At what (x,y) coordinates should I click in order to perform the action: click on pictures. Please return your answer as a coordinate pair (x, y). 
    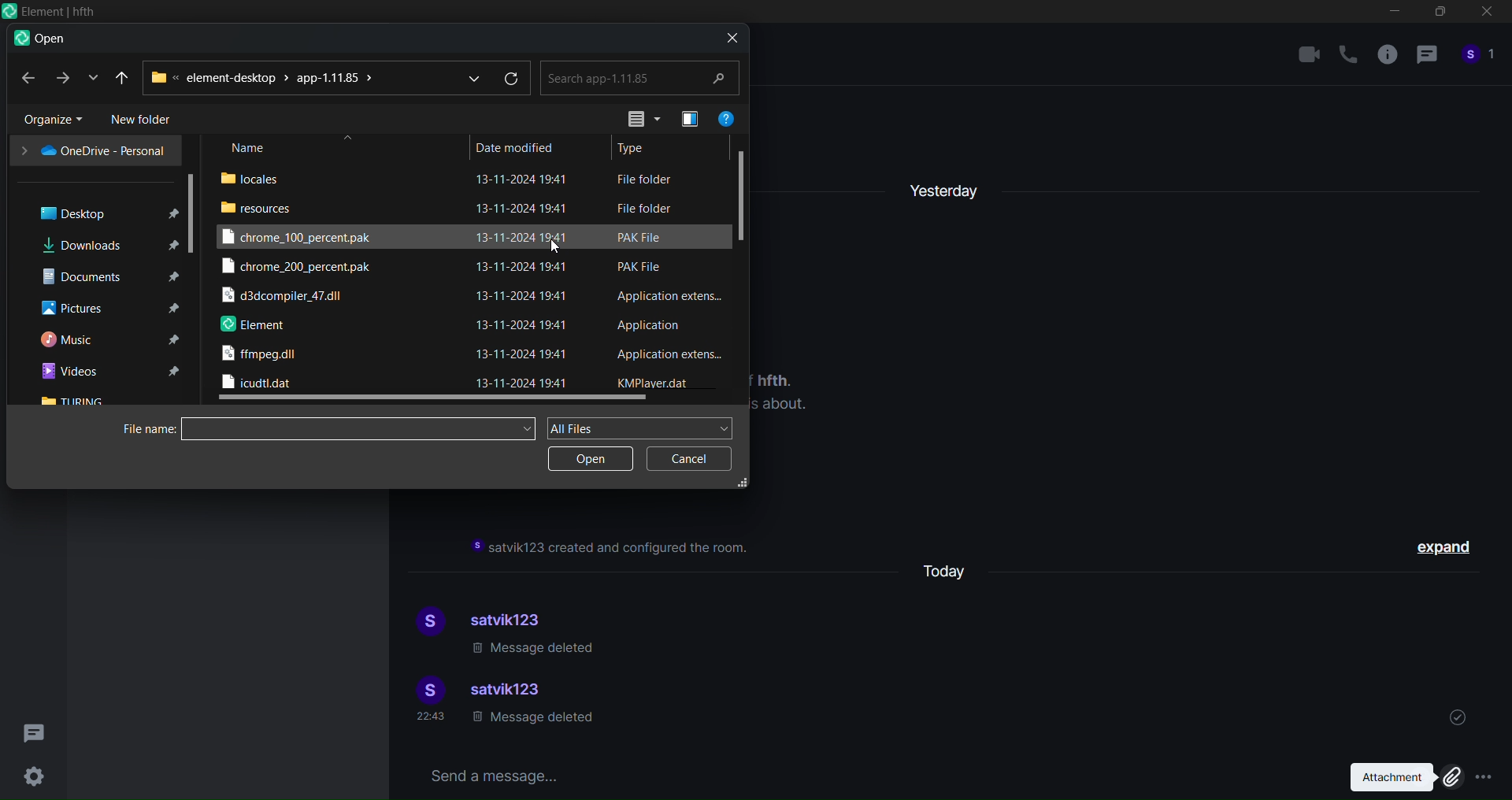
    Looking at the image, I should click on (106, 309).